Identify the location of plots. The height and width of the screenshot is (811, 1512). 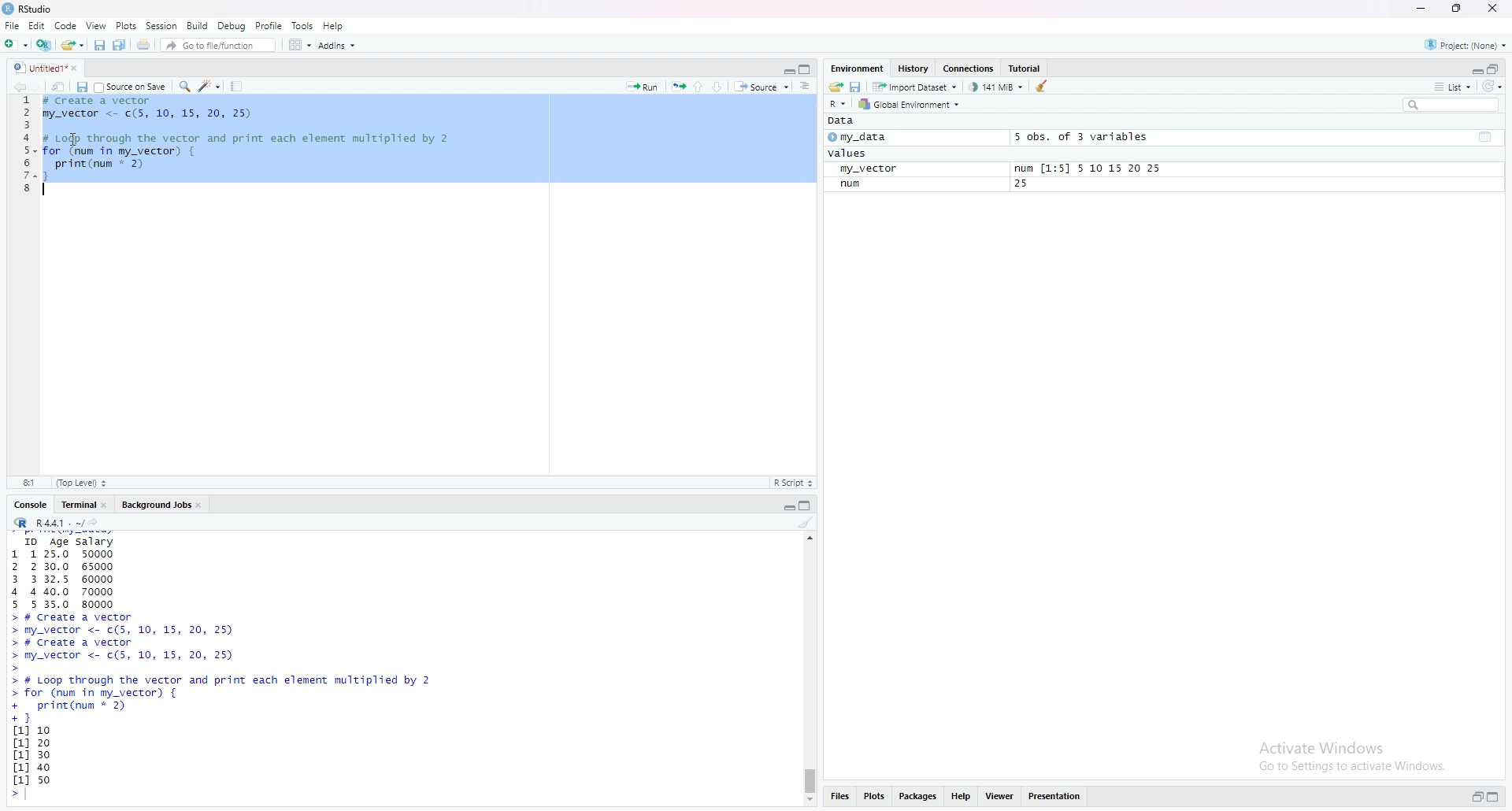
(876, 796).